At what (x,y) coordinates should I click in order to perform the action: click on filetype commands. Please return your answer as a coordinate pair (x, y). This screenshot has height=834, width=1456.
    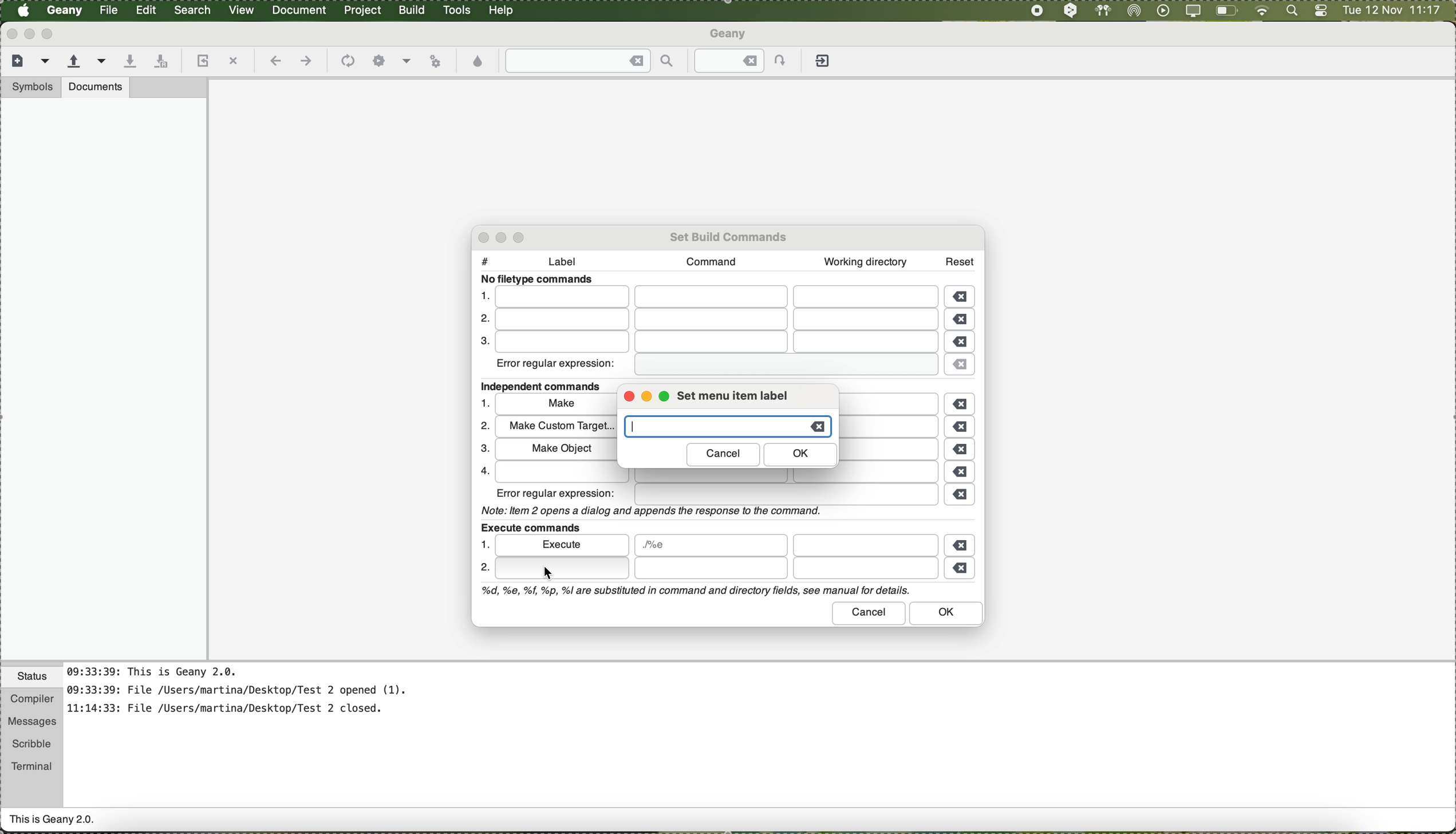
    Looking at the image, I should click on (540, 280).